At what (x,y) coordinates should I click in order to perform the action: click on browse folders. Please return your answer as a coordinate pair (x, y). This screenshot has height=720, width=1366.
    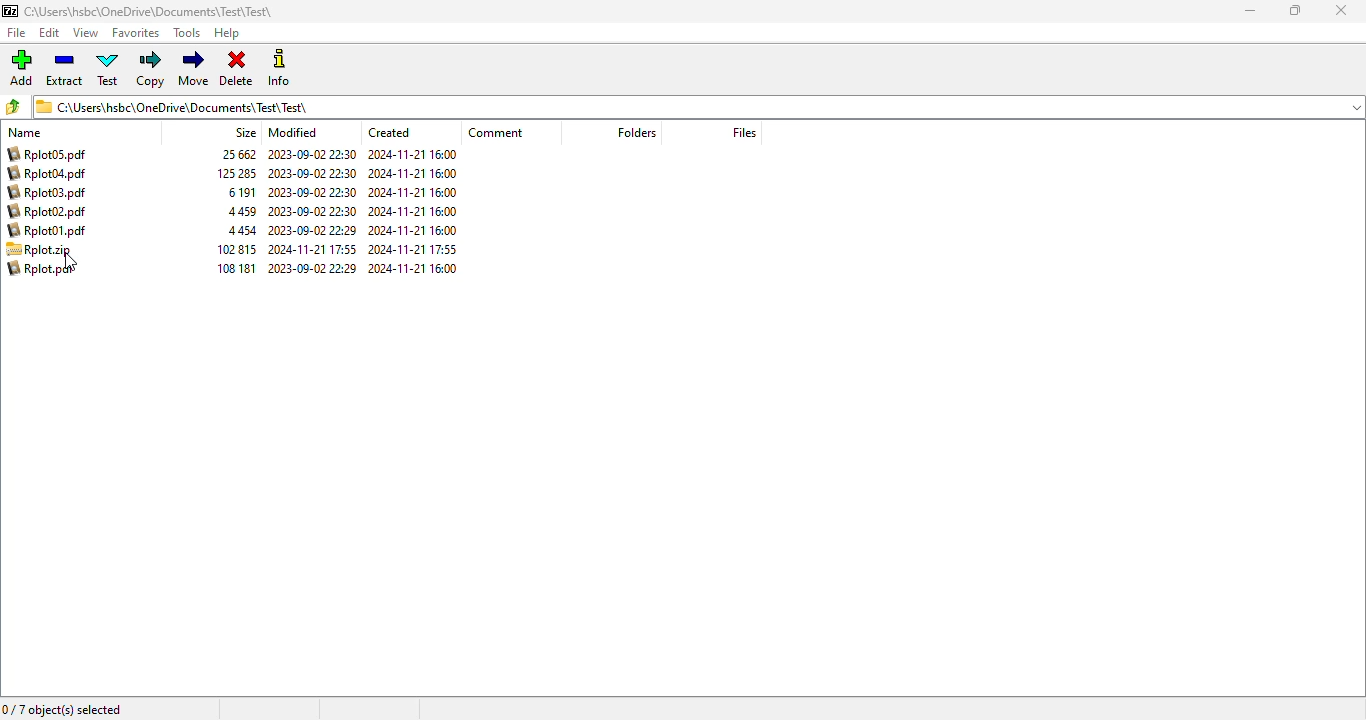
    Looking at the image, I should click on (12, 106).